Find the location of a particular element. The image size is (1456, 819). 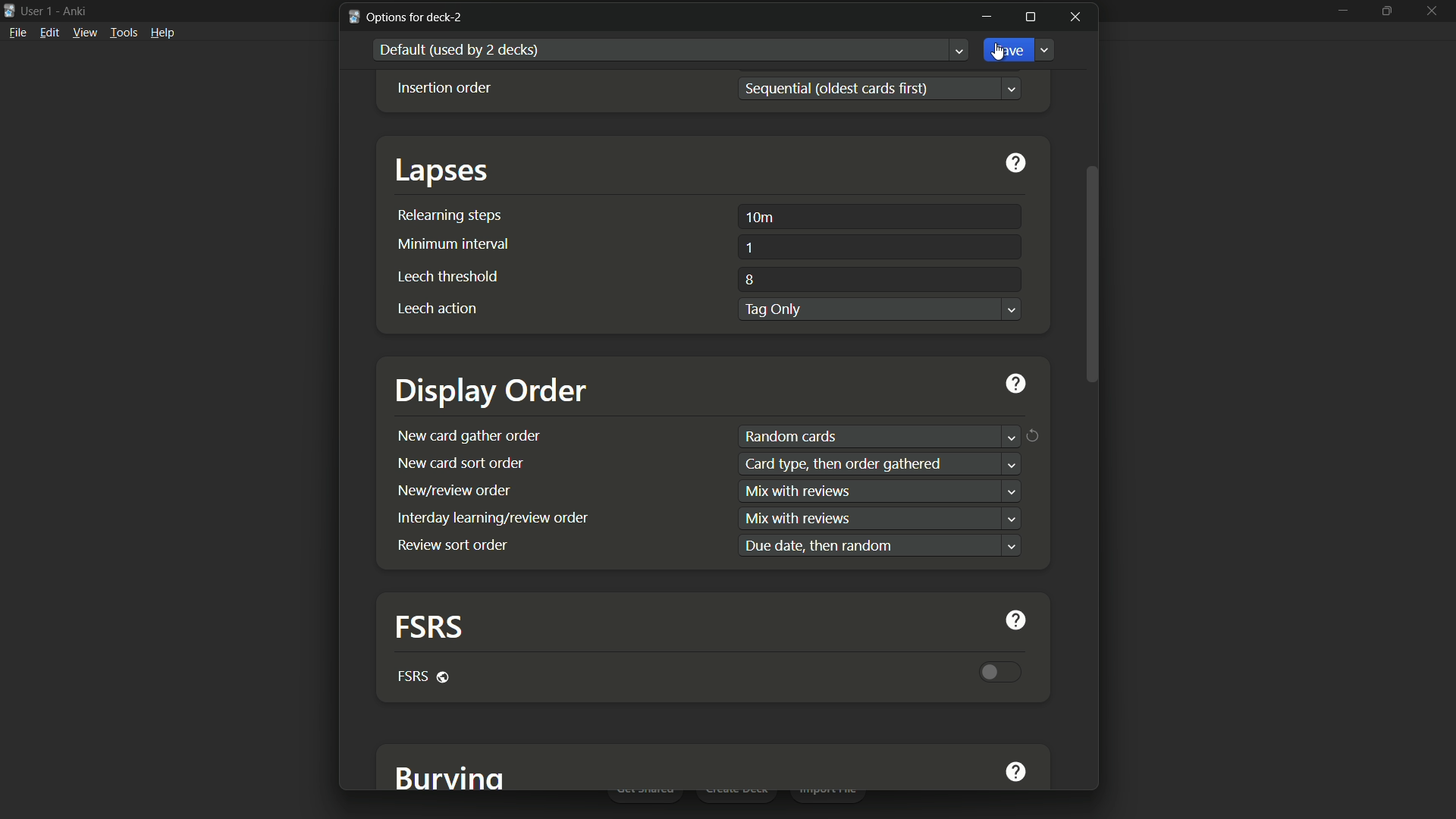

maximize is located at coordinates (1389, 9).